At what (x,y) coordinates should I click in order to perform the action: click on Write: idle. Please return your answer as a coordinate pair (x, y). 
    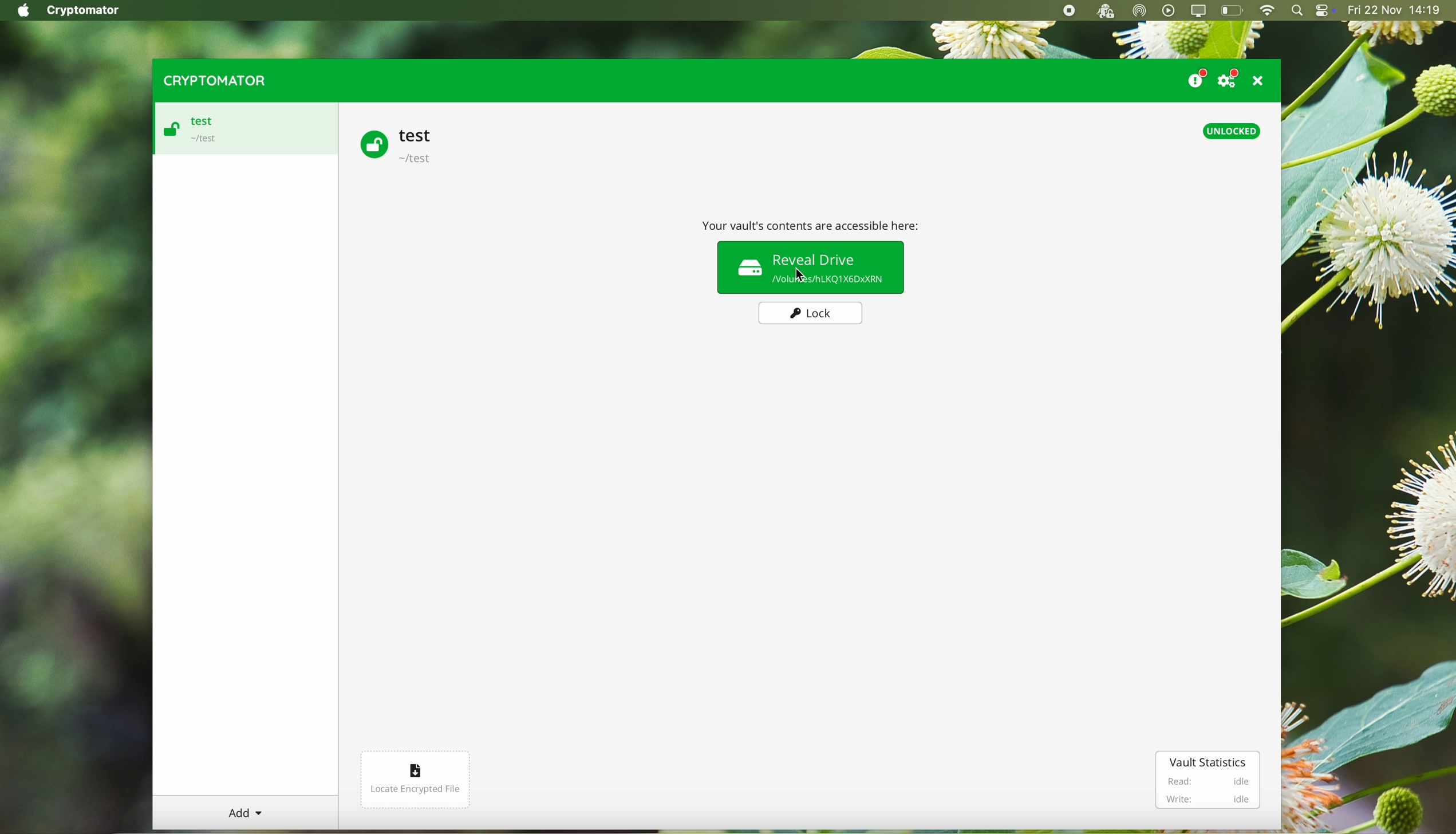
    Looking at the image, I should click on (1207, 798).